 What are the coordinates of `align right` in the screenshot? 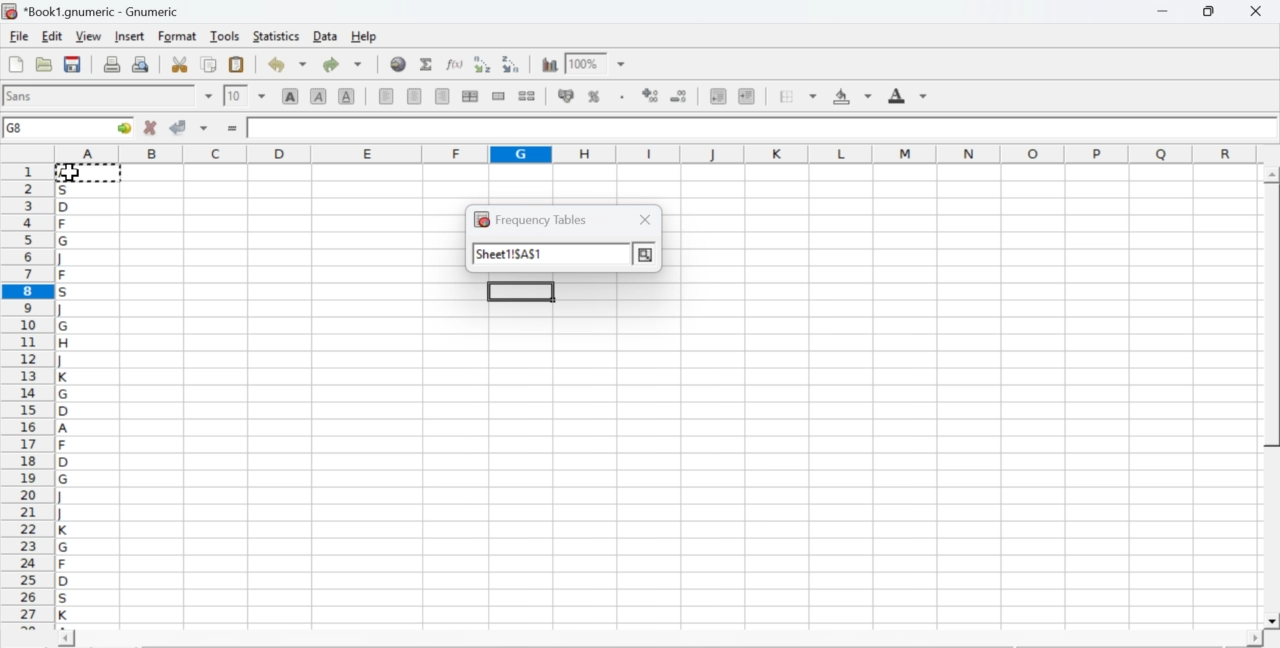 It's located at (442, 97).